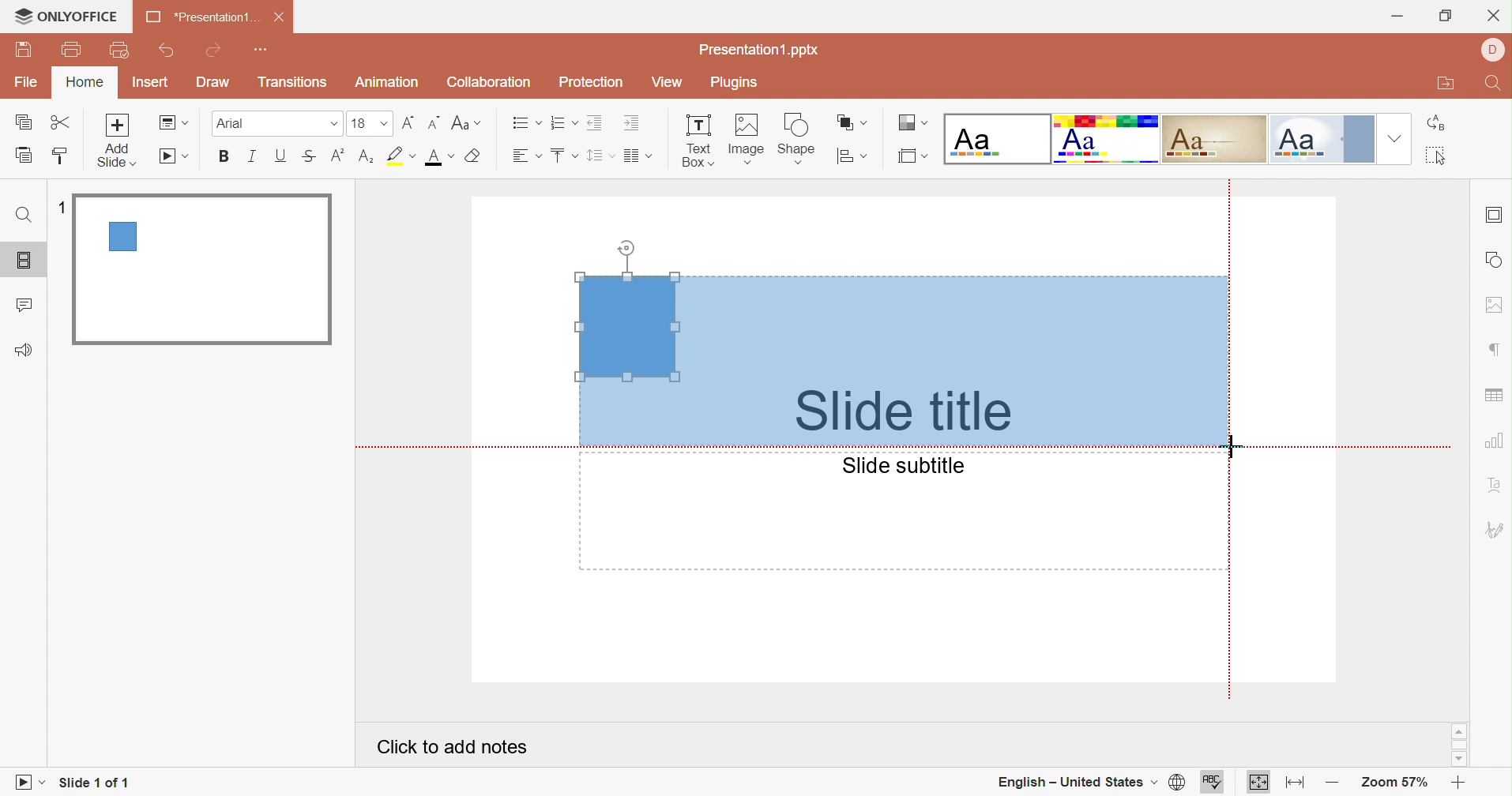  What do you see at coordinates (168, 51) in the screenshot?
I see `Undo` at bounding box center [168, 51].